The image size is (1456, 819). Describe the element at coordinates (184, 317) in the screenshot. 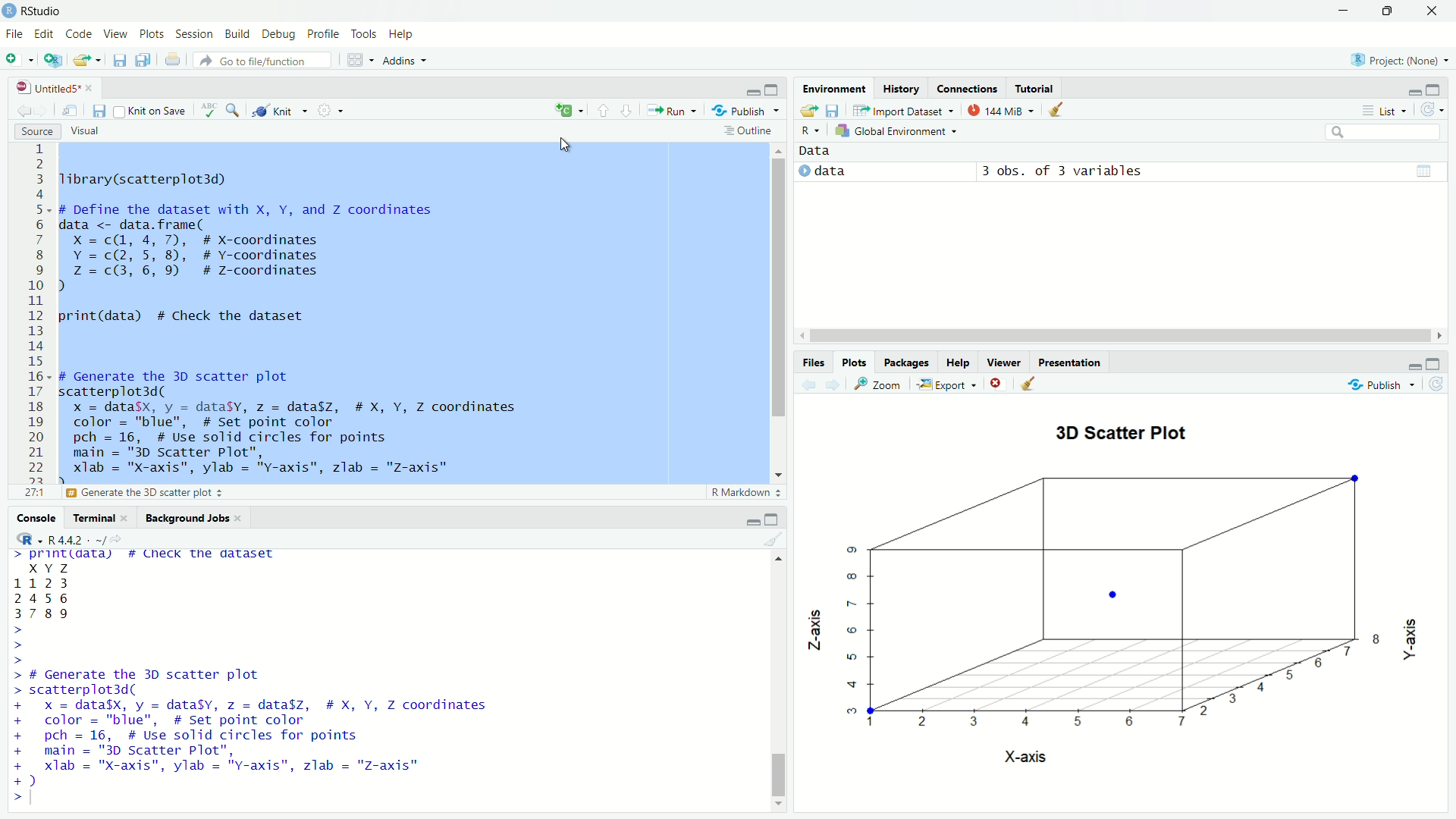

I see `orint(data) # Check the dataset` at that location.